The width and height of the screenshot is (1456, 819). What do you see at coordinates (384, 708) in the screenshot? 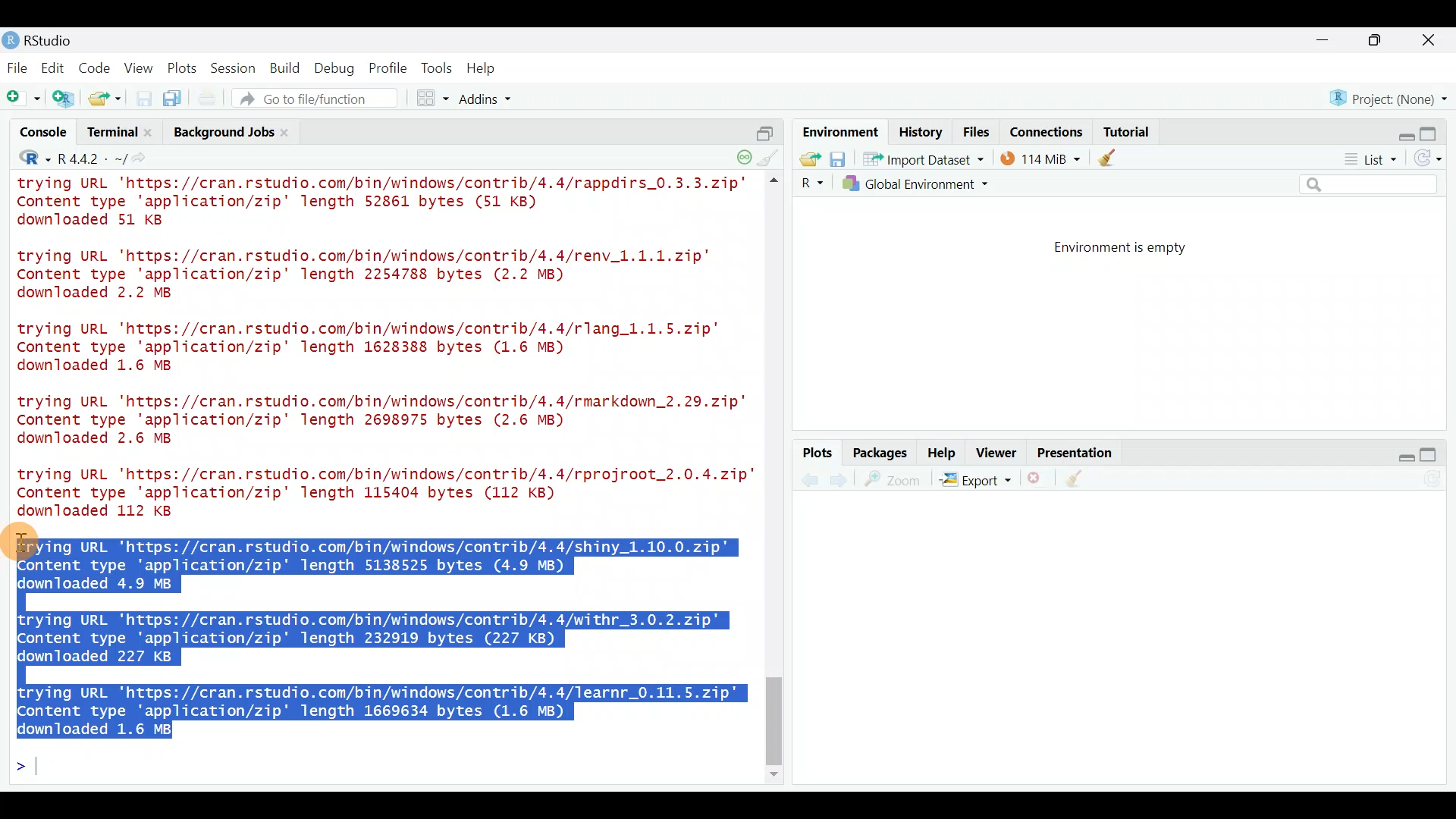
I see `trying URL 'https://cran.rstudio.com/bin/windows/contrib/4.4/learnr_0.11.5.zip"
Content type 'application/zip' length 1669634 bytes (1.6 MB)
downloaded 1.6` at bounding box center [384, 708].